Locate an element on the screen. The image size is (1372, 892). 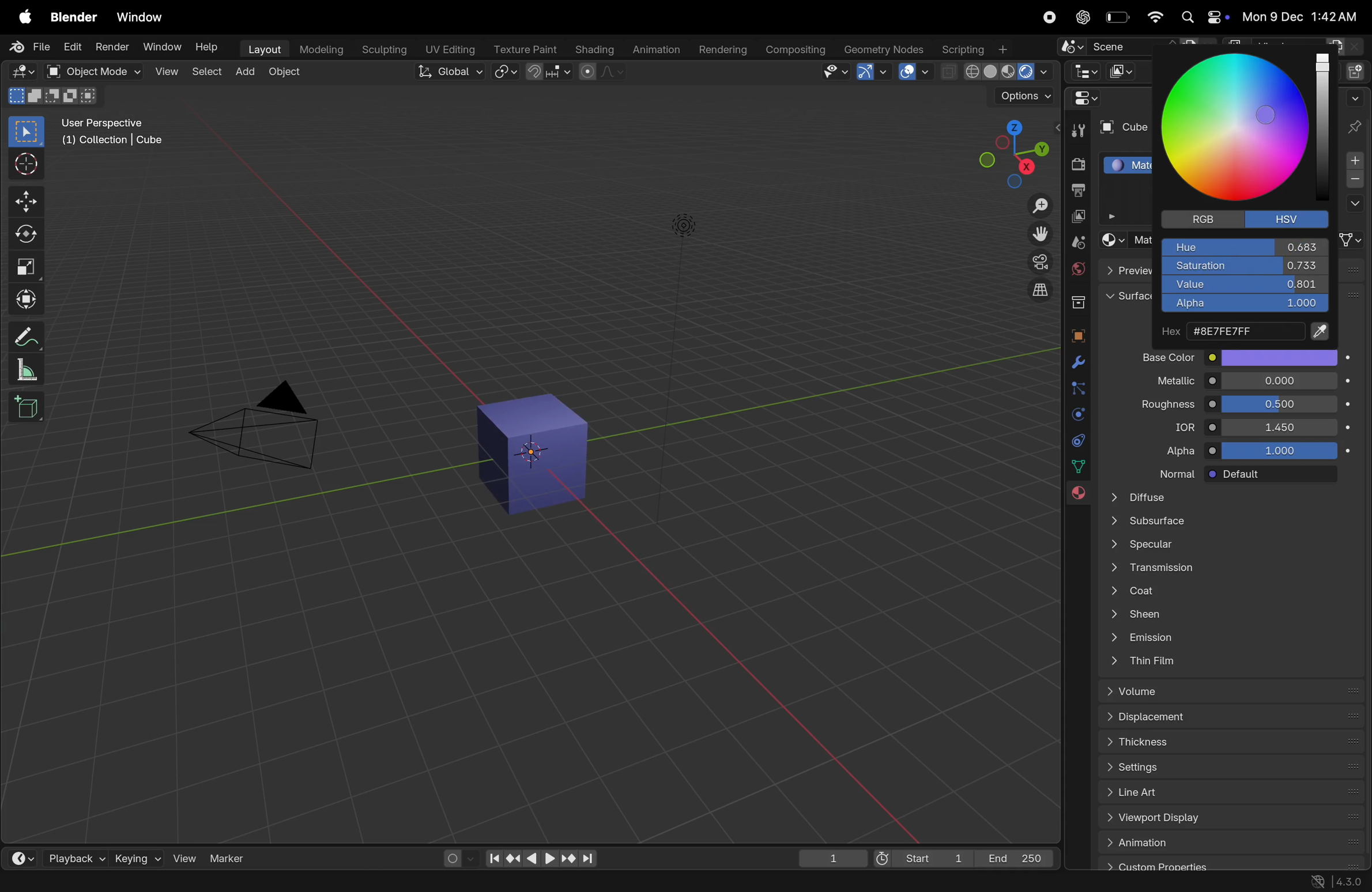
displace meny is located at coordinates (1232, 718).